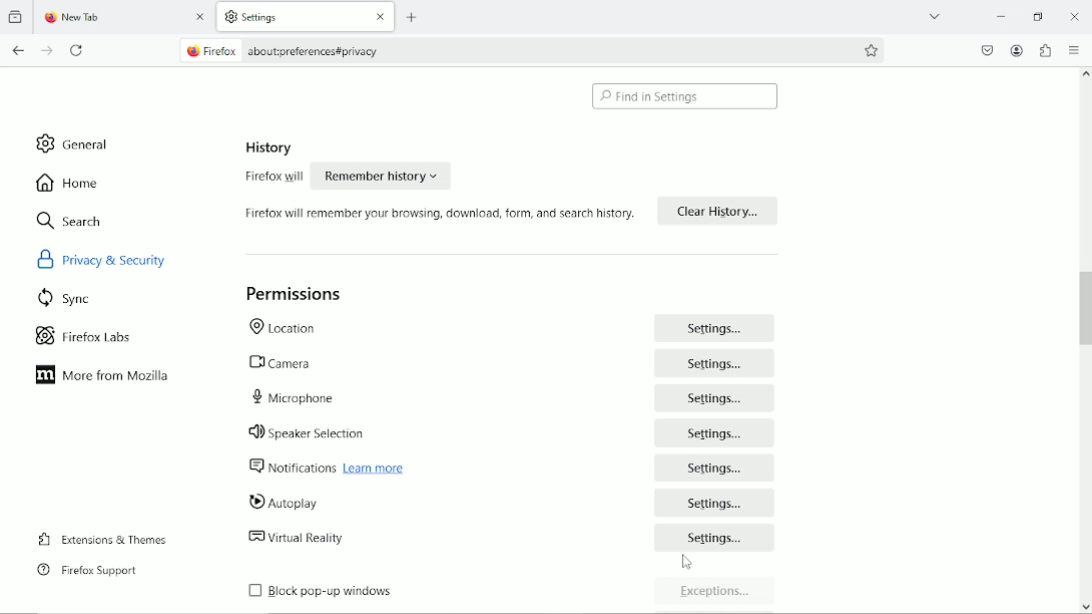  I want to click on Remember history , so click(384, 175).